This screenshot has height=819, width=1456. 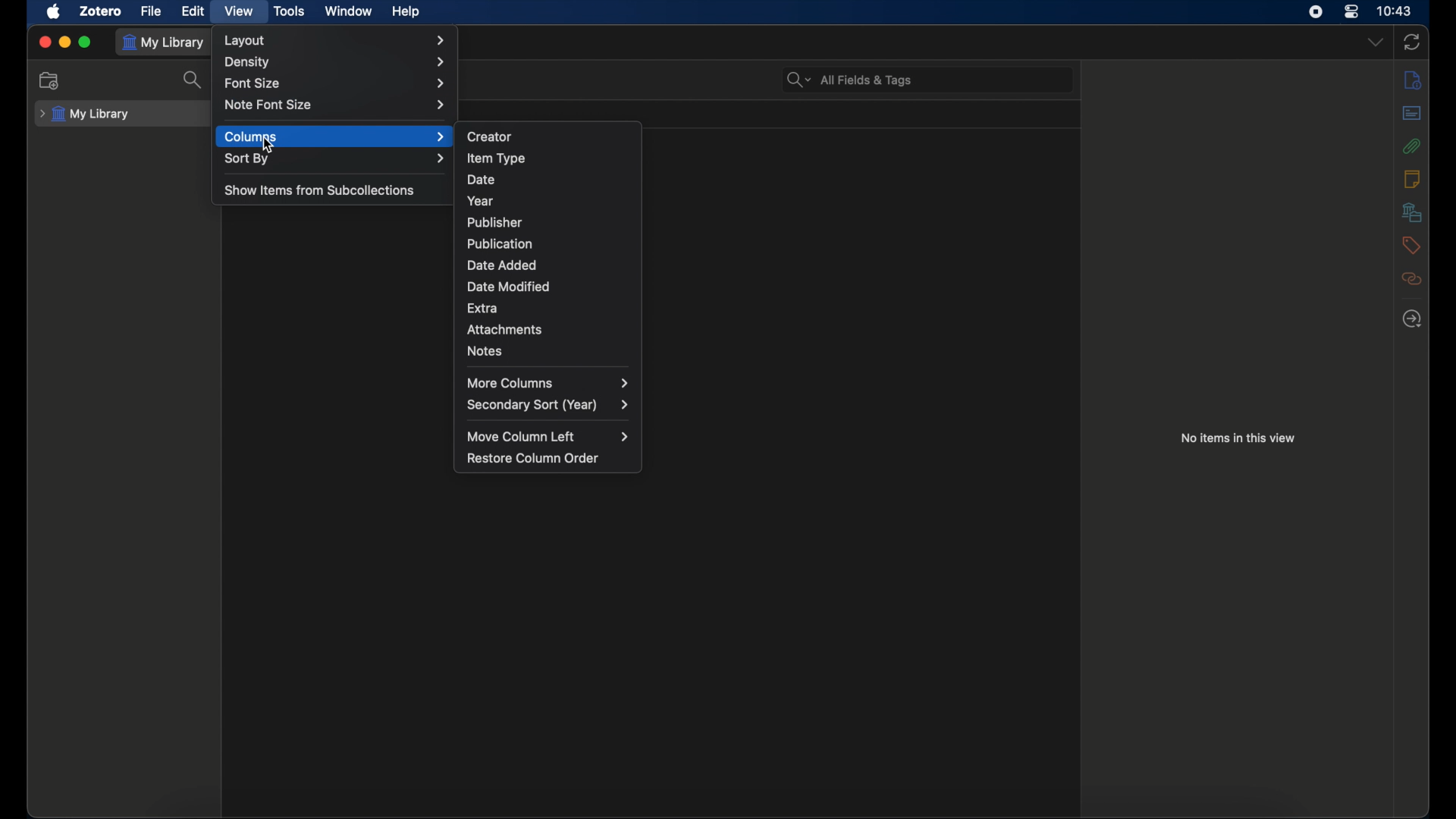 What do you see at coordinates (496, 158) in the screenshot?
I see `item type` at bounding box center [496, 158].